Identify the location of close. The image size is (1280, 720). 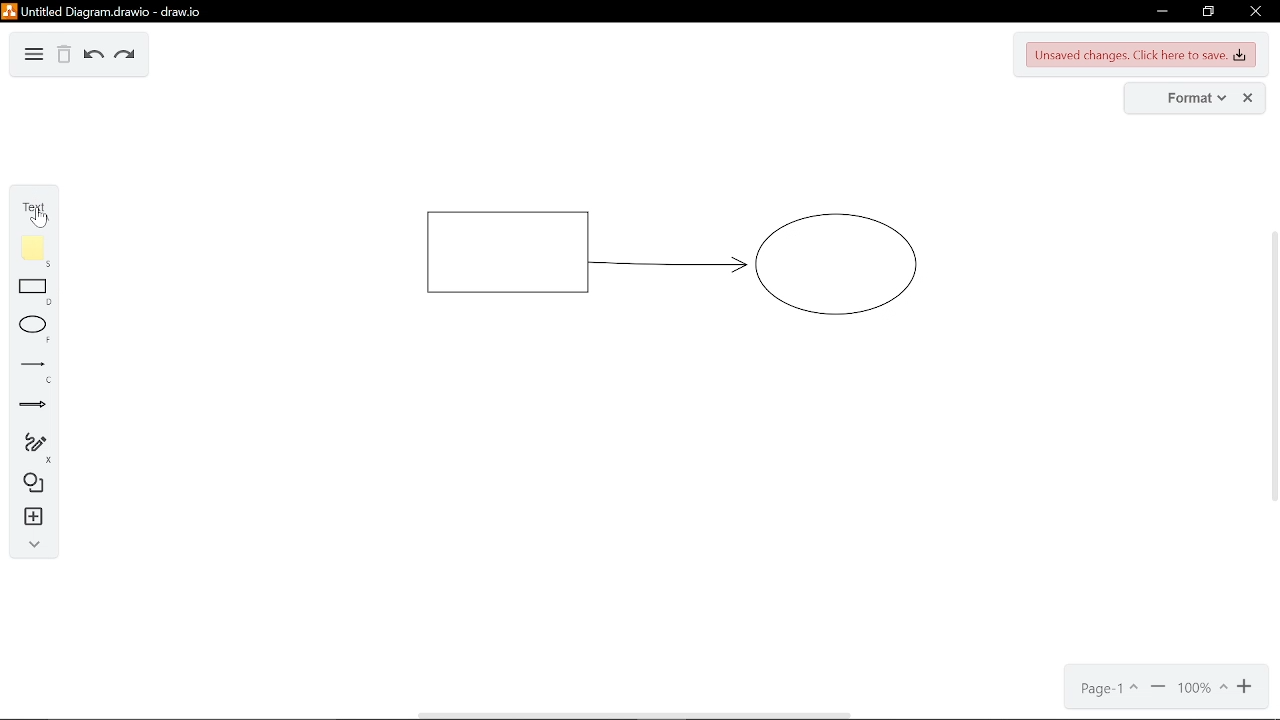
(1246, 98).